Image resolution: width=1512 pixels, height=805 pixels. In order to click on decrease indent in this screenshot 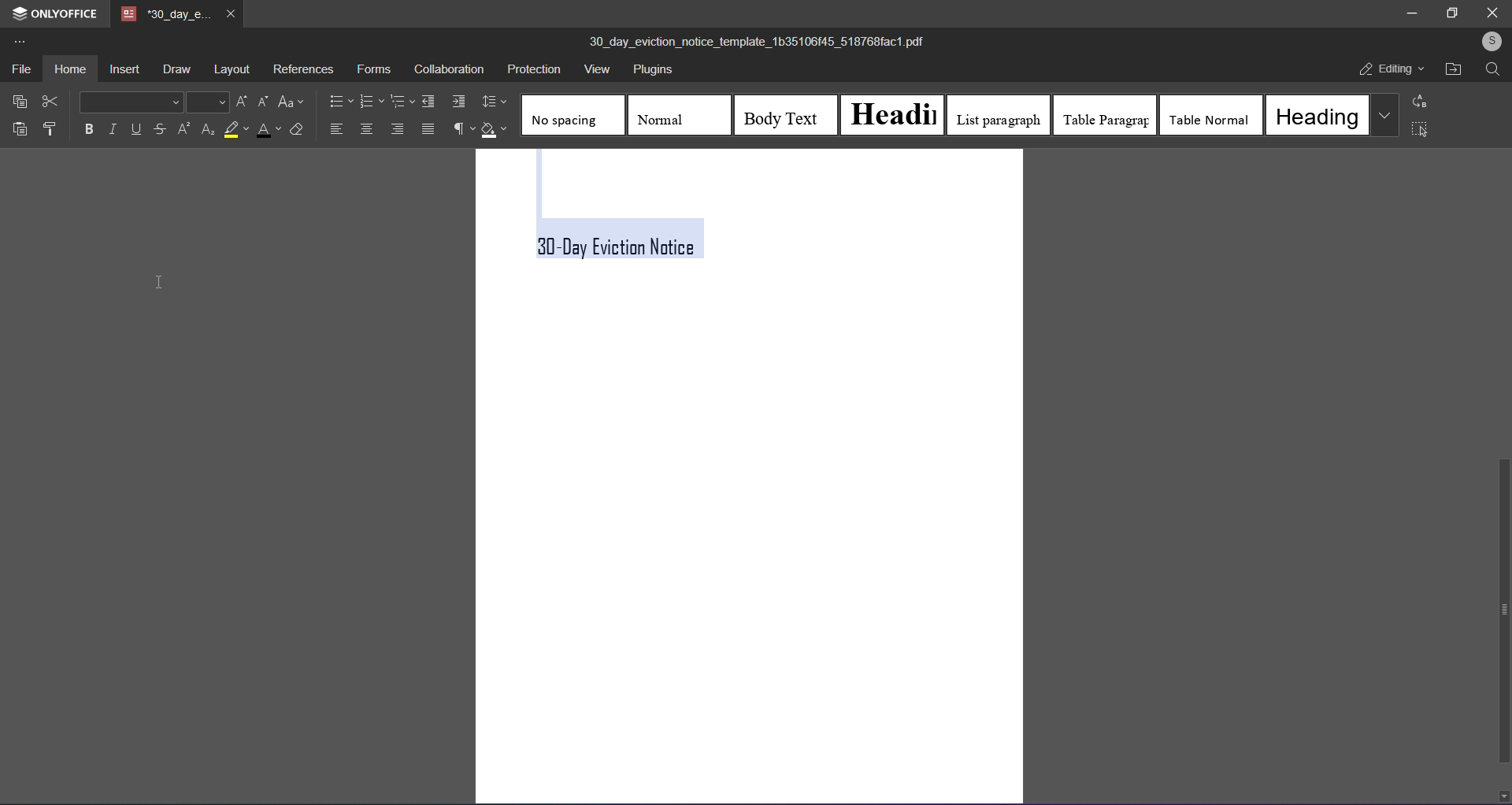, I will do `click(428, 101)`.